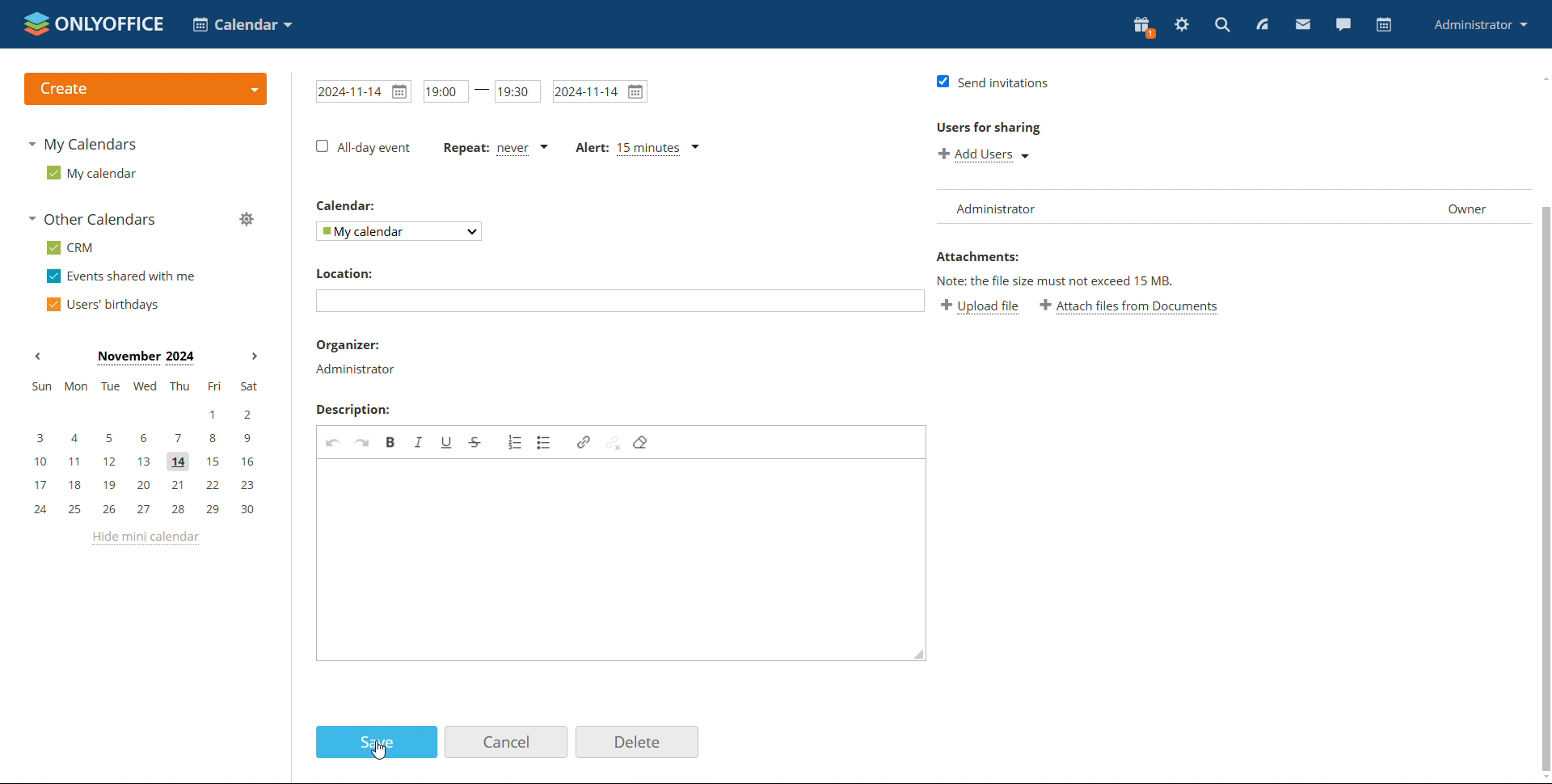 The height and width of the screenshot is (784, 1552). I want to click on insert/remove numbered list, so click(514, 441).